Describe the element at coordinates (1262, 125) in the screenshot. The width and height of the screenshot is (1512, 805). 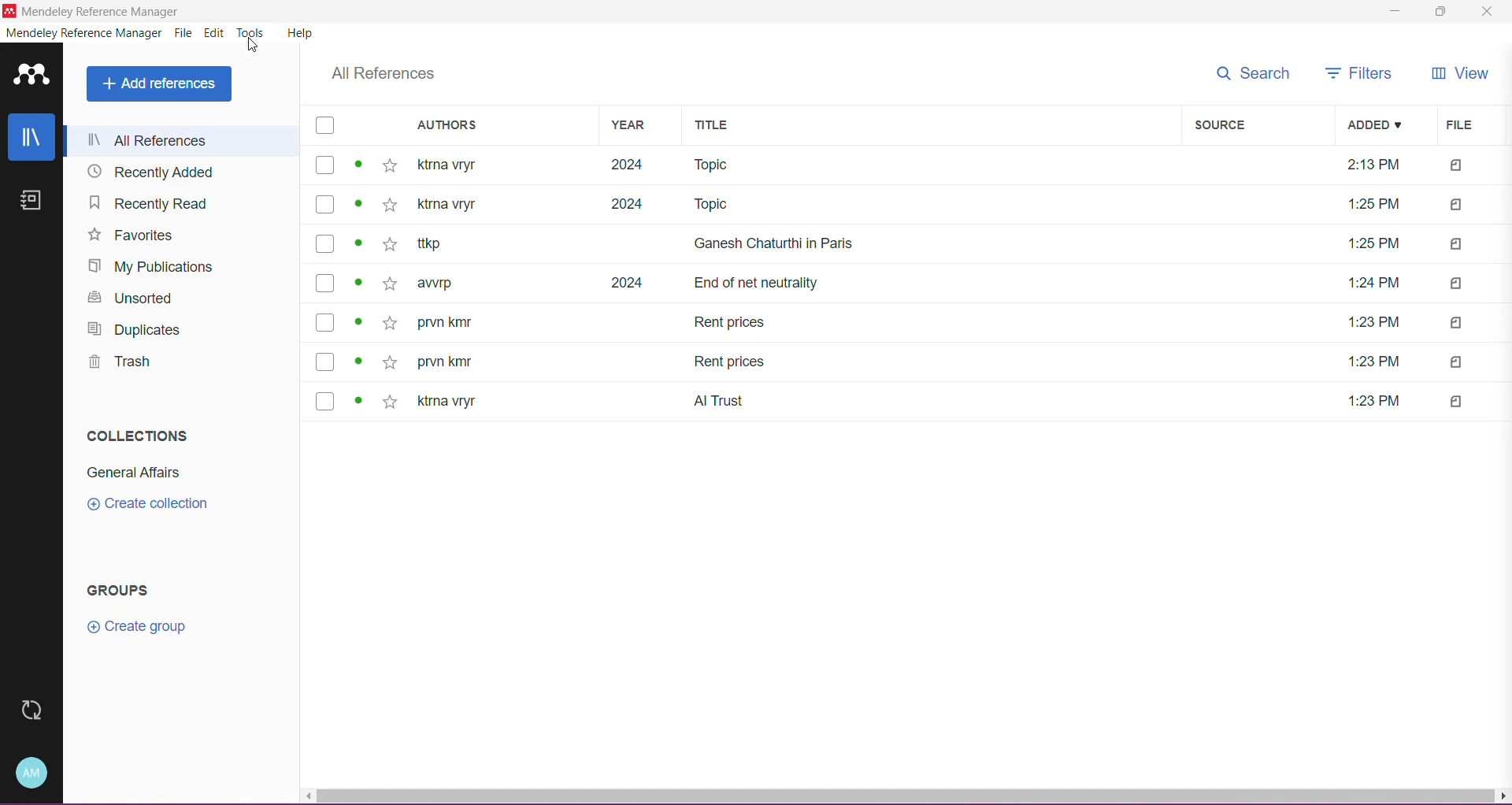
I see `Source` at that location.